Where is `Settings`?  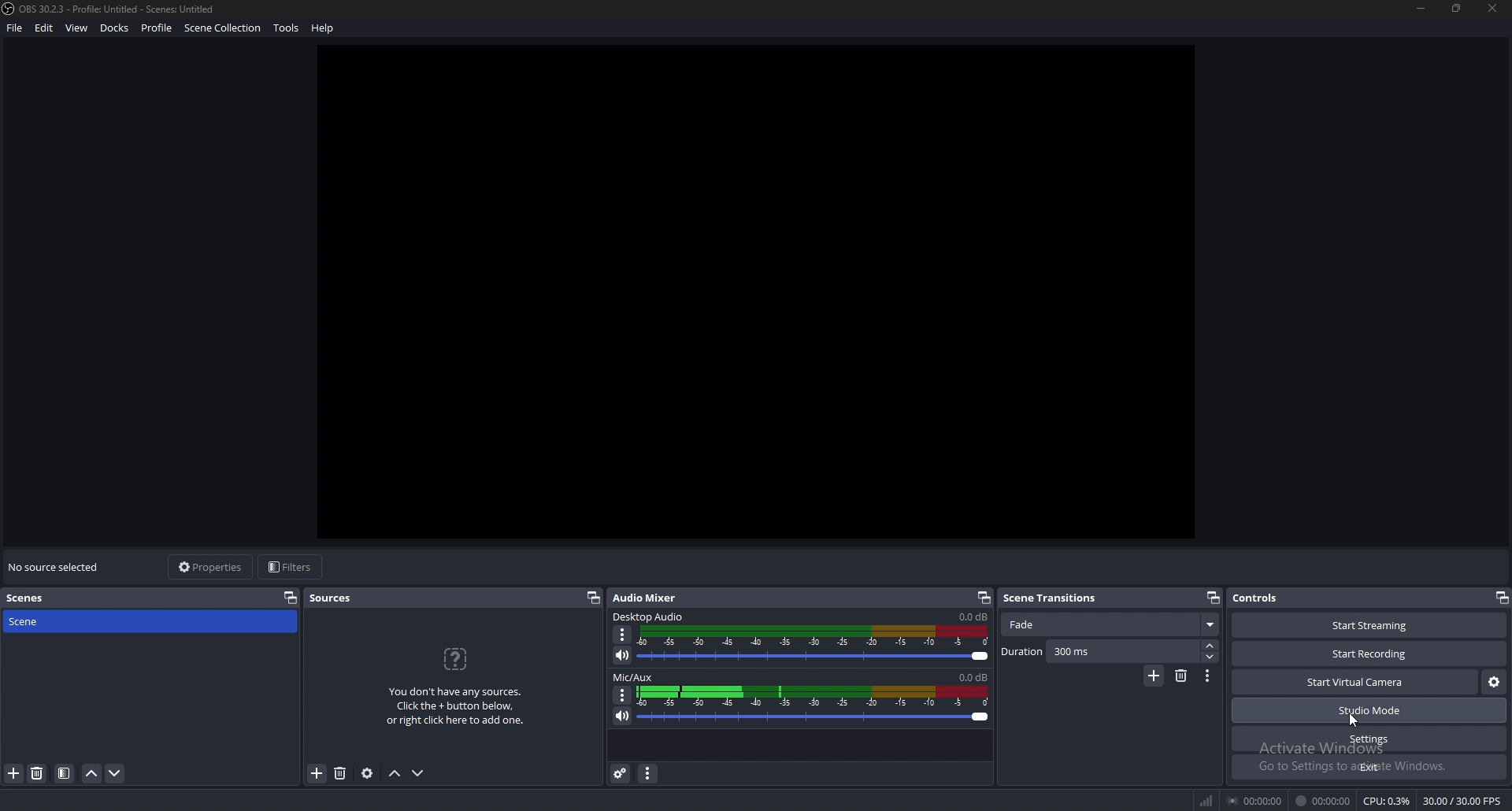 Settings is located at coordinates (1370, 739).